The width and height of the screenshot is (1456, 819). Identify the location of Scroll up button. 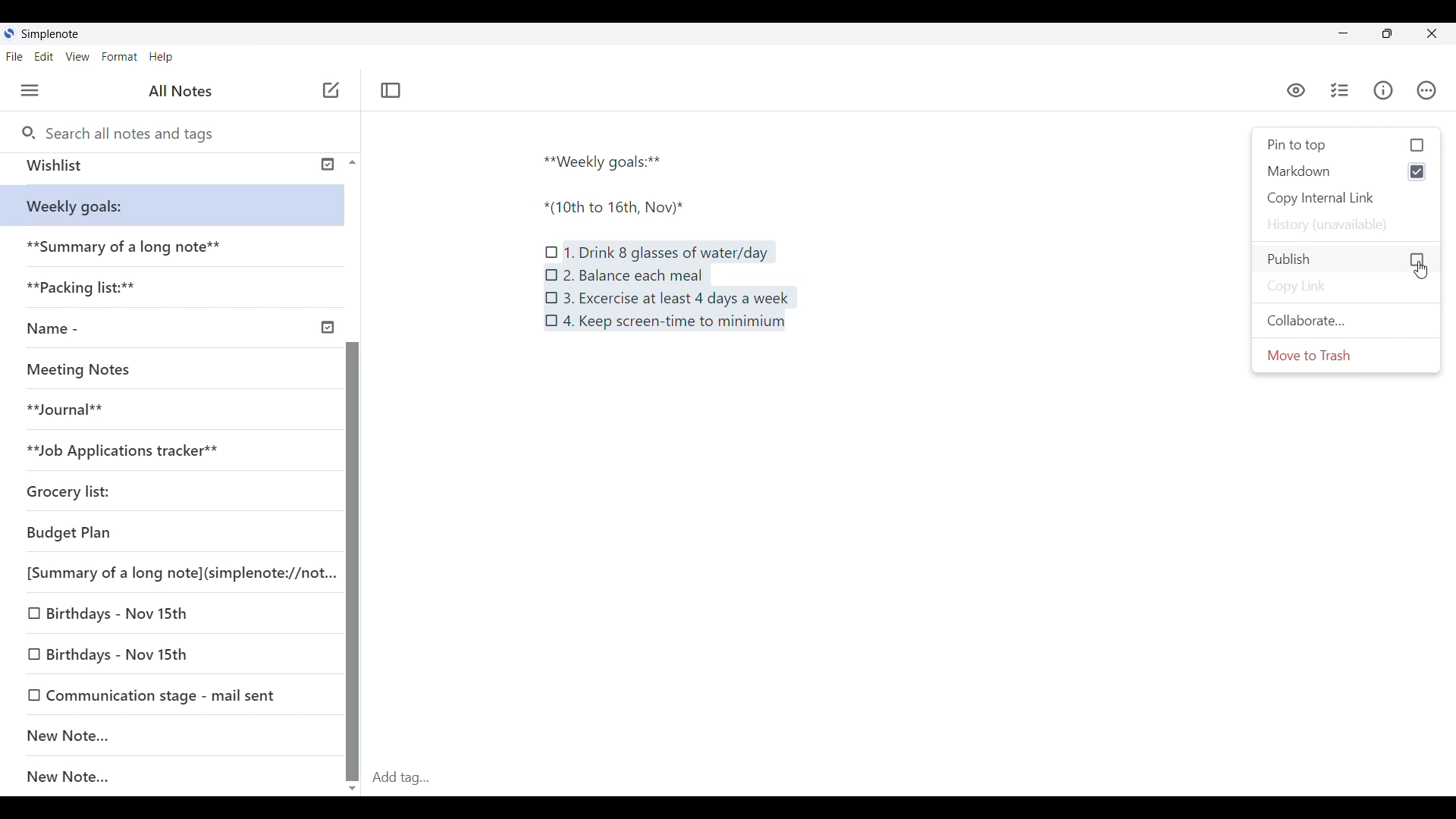
(348, 162).